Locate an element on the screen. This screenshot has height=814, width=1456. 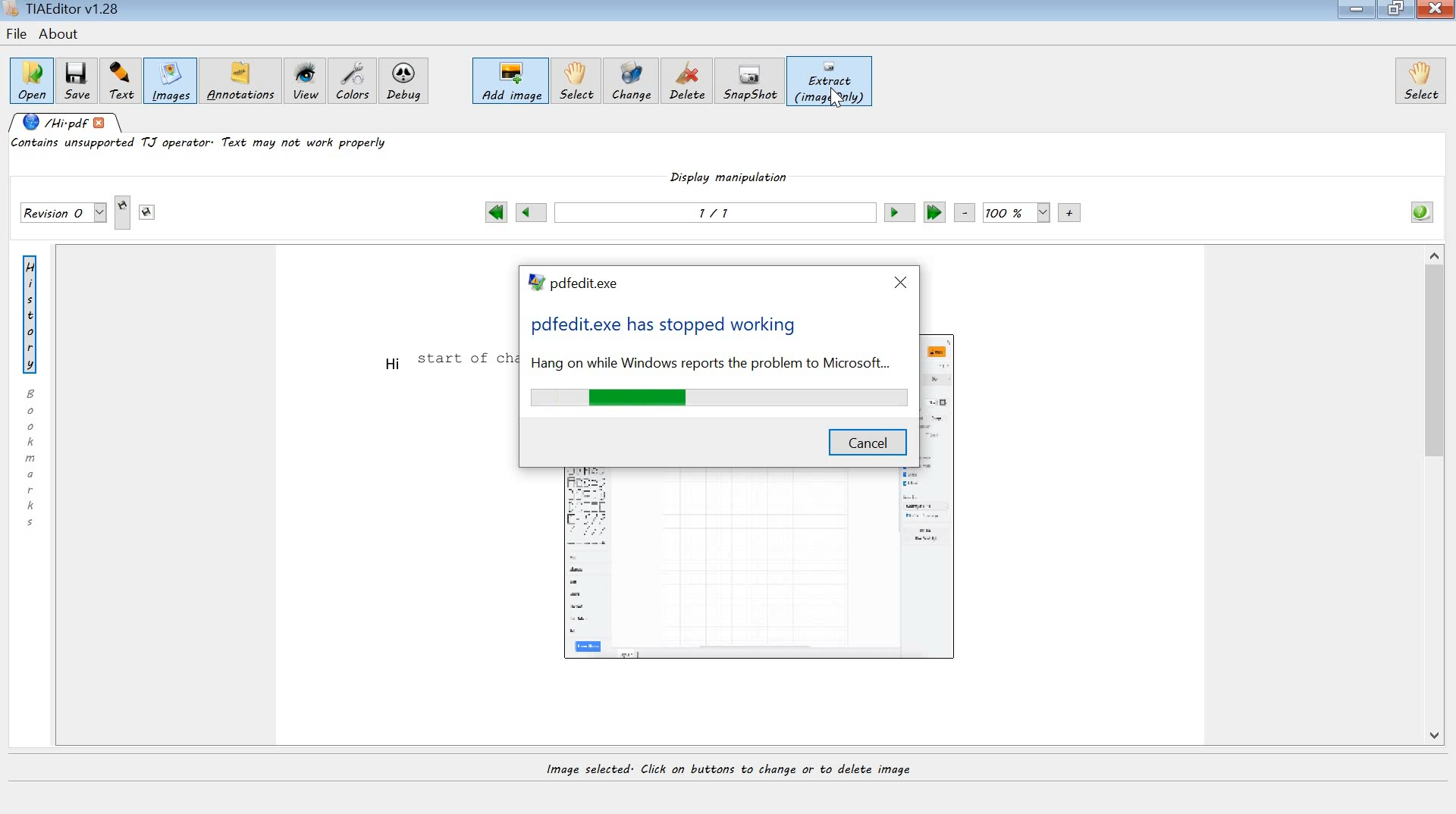
images is located at coordinates (169, 83).